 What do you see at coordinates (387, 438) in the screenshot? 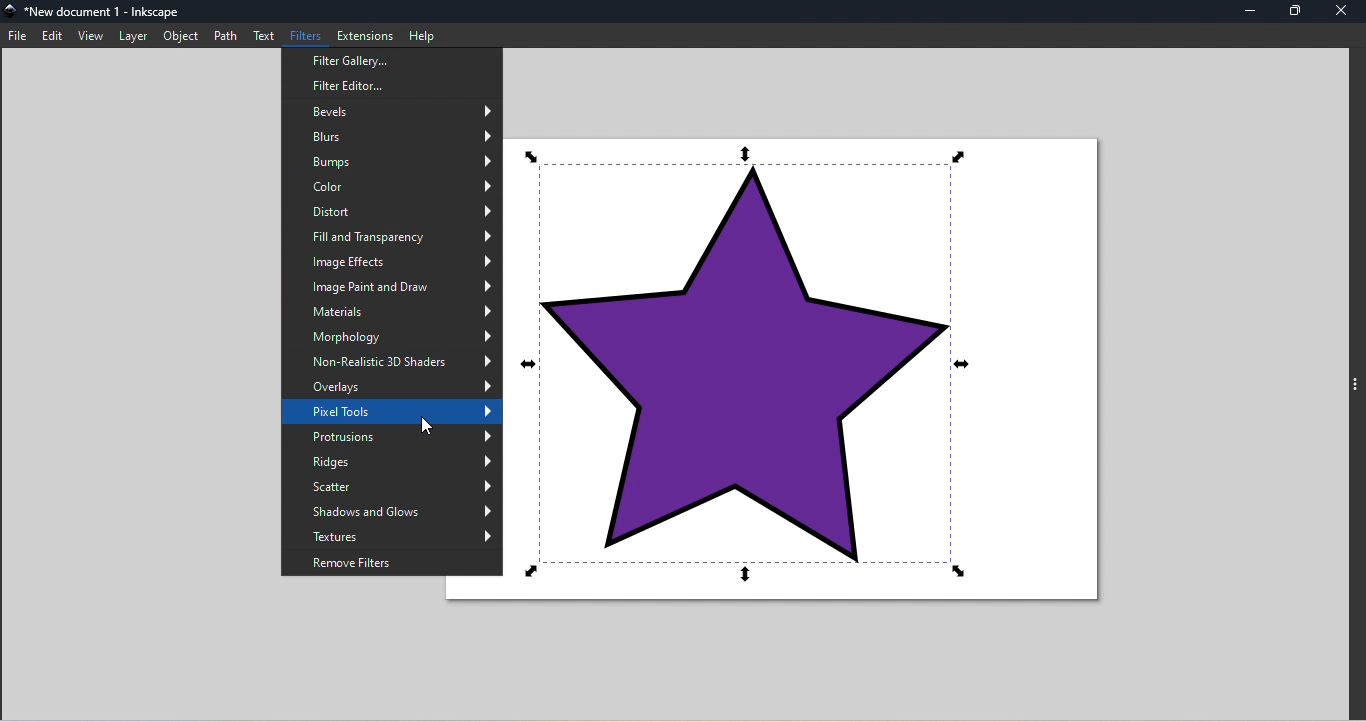
I see `Protrusions` at bounding box center [387, 438].